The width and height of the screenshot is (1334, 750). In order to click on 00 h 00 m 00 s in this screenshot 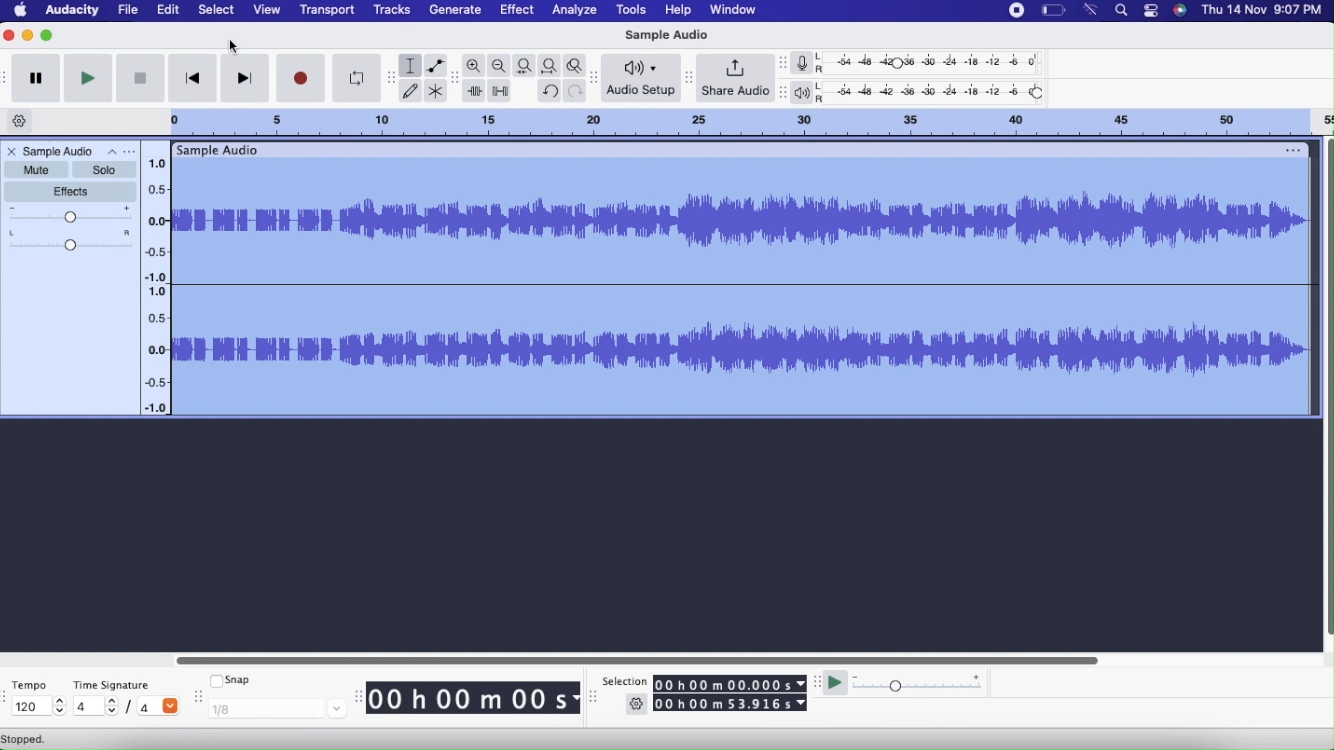, I will do `click(473, 696)`.